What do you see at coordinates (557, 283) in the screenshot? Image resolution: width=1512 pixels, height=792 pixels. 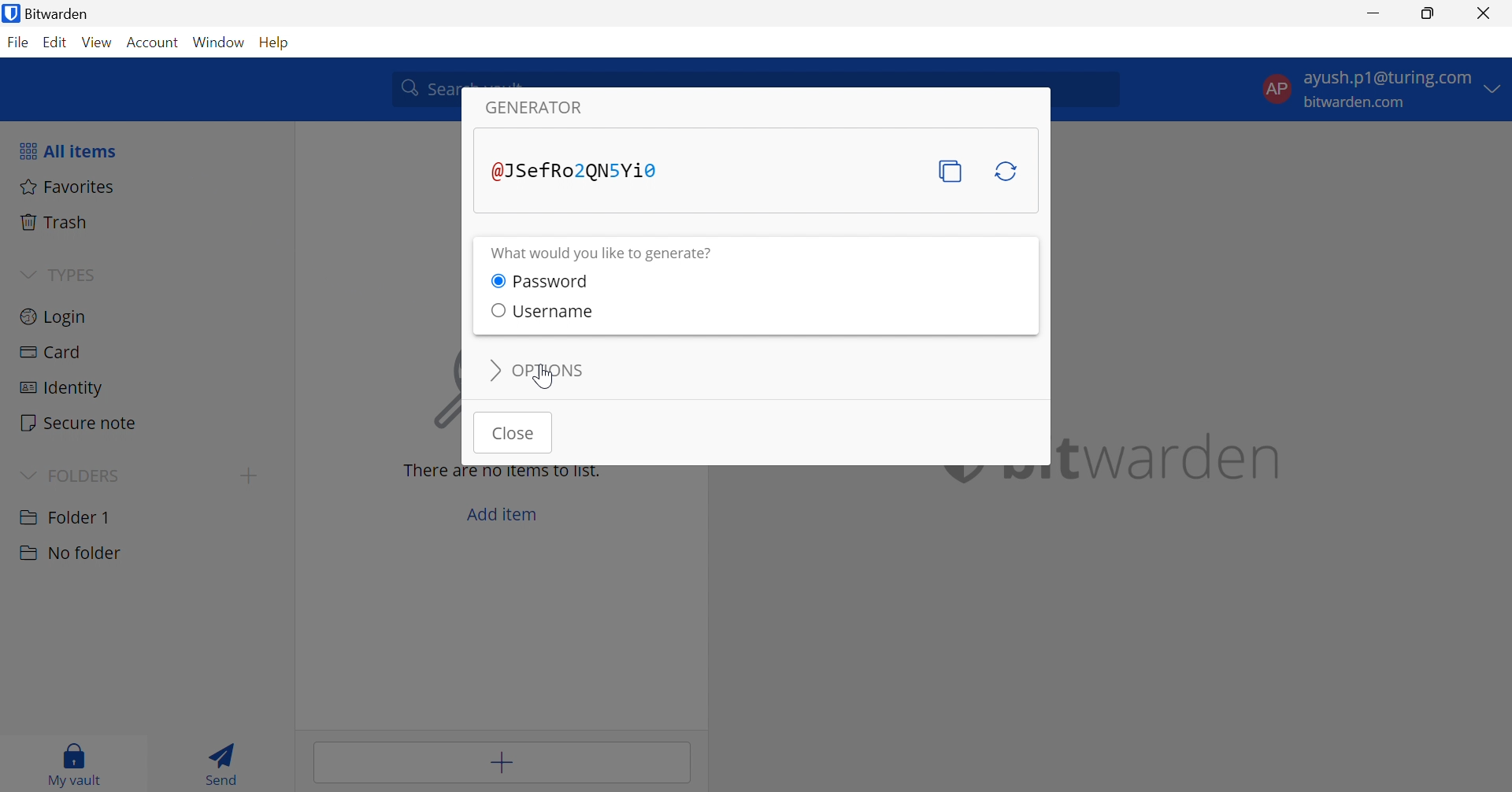 I see `Password` at bounding box center [557, 283].